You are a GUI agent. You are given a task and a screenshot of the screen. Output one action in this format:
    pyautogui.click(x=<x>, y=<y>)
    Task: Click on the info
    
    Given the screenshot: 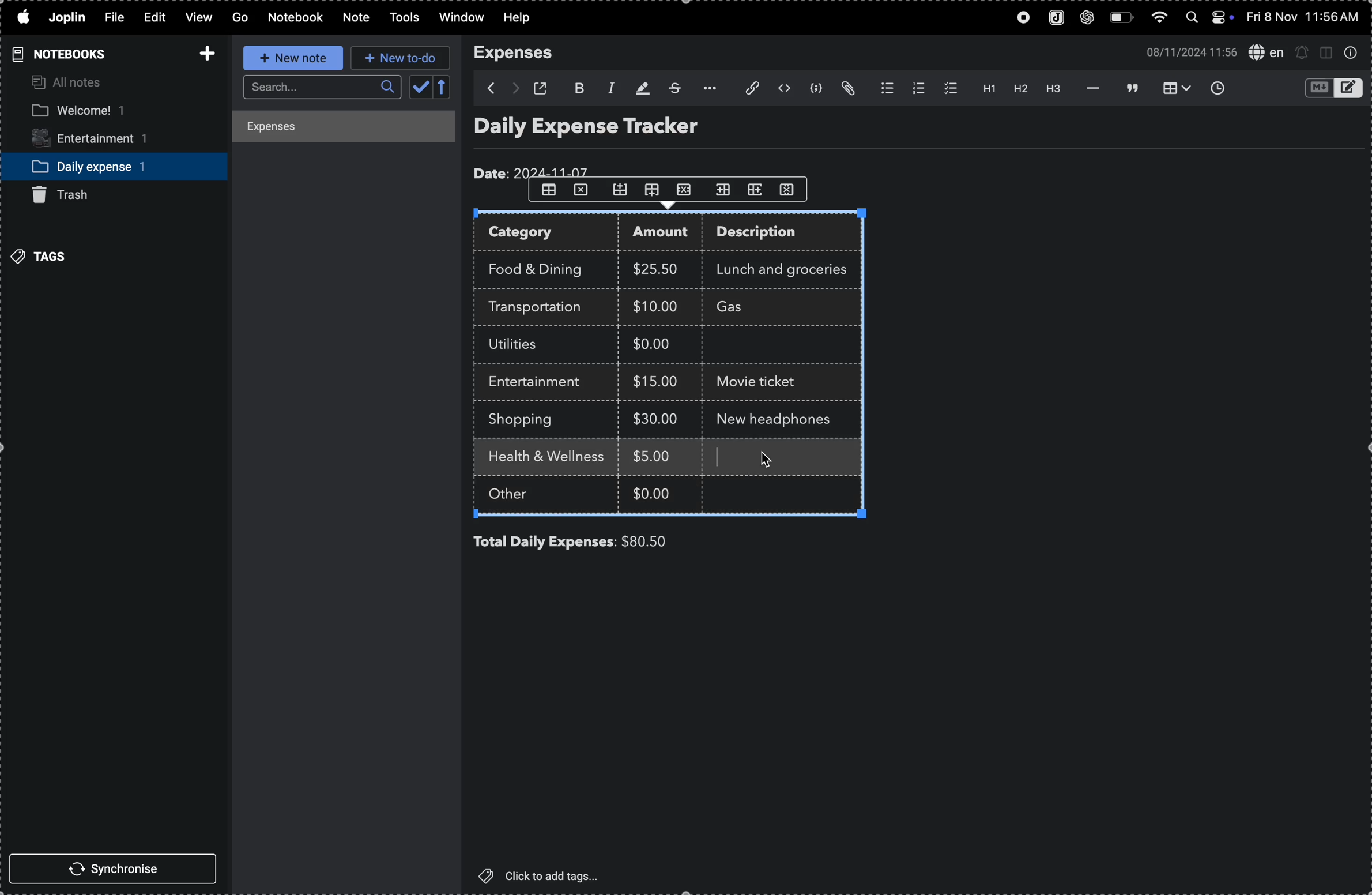 What is the action you would take?
    pyautogui.click(x=1351, y=53)
    